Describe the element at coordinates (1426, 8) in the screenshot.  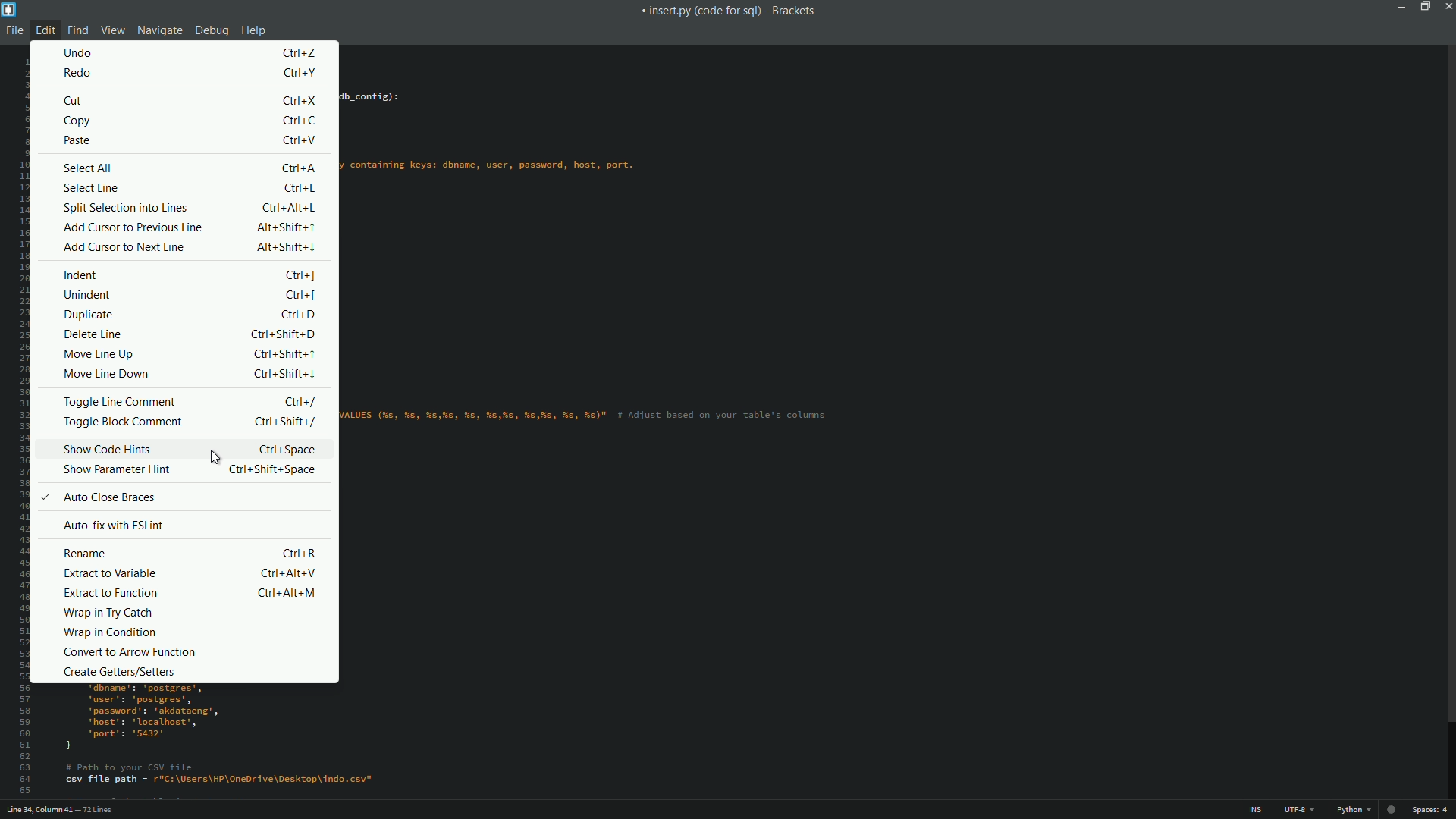
I see `maximize` at that location.